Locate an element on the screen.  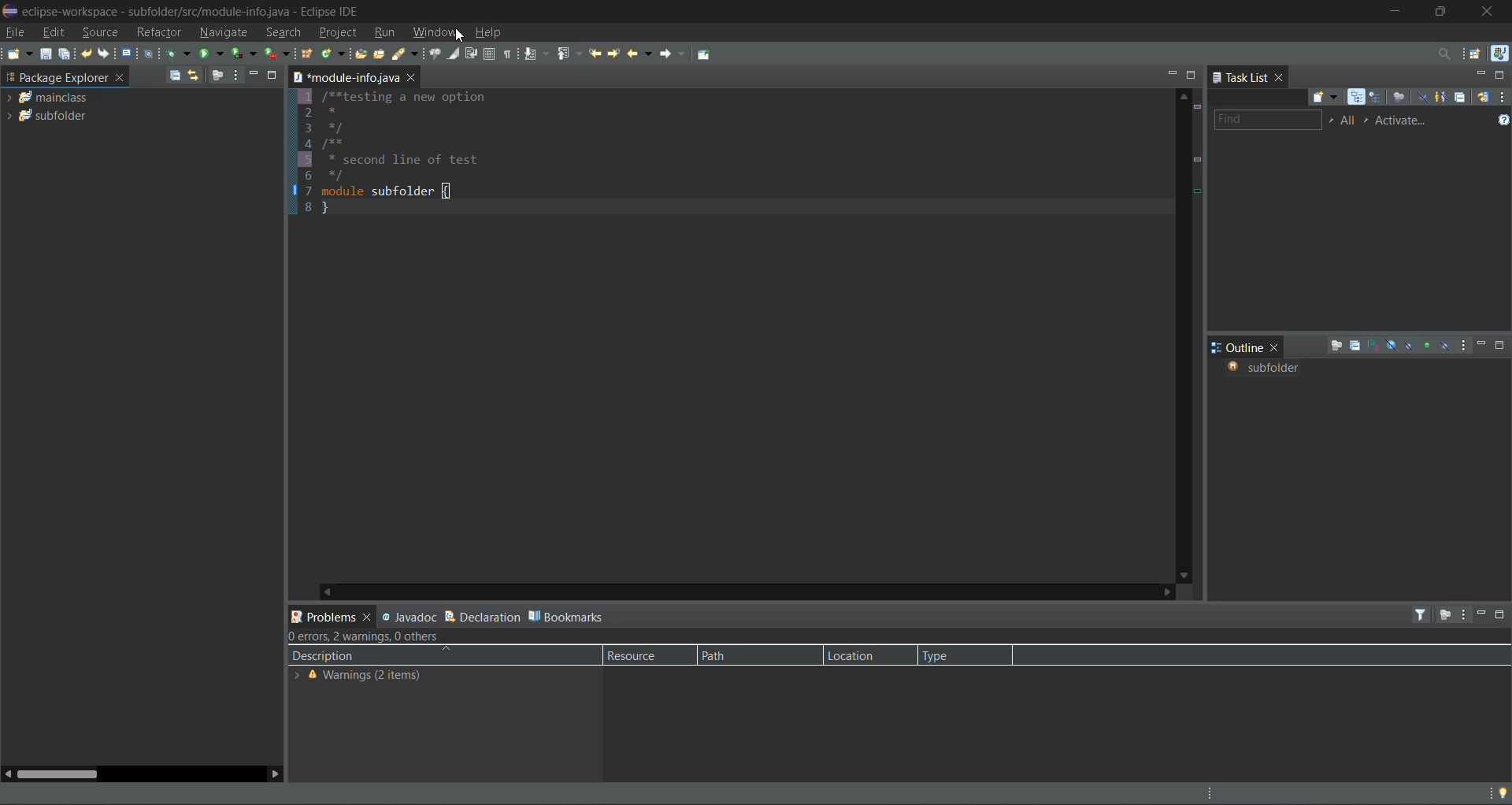
open task is located at coordinates (380, 55).